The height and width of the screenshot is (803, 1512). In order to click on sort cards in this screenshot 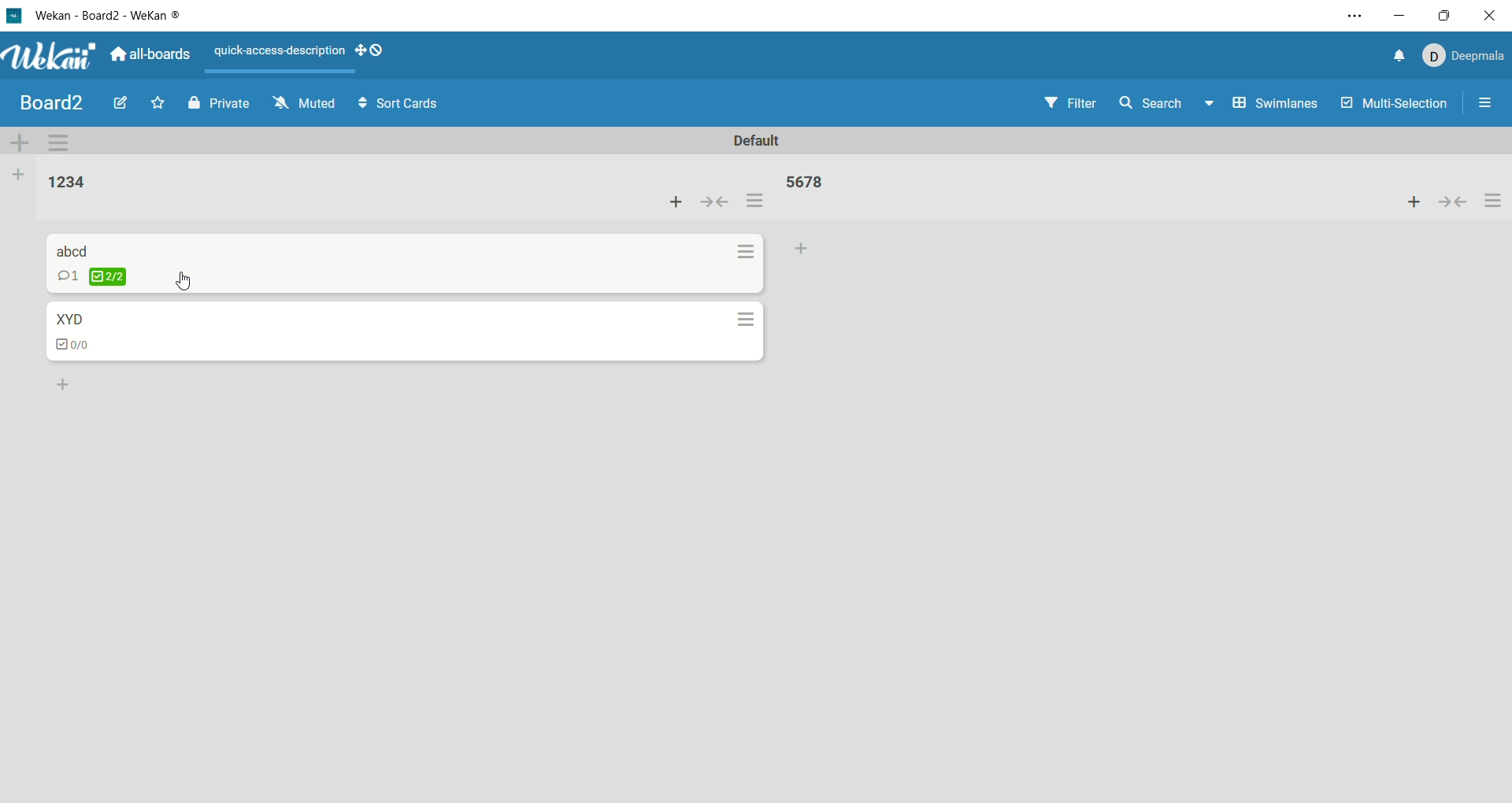, I will do `click(398, 105)`.